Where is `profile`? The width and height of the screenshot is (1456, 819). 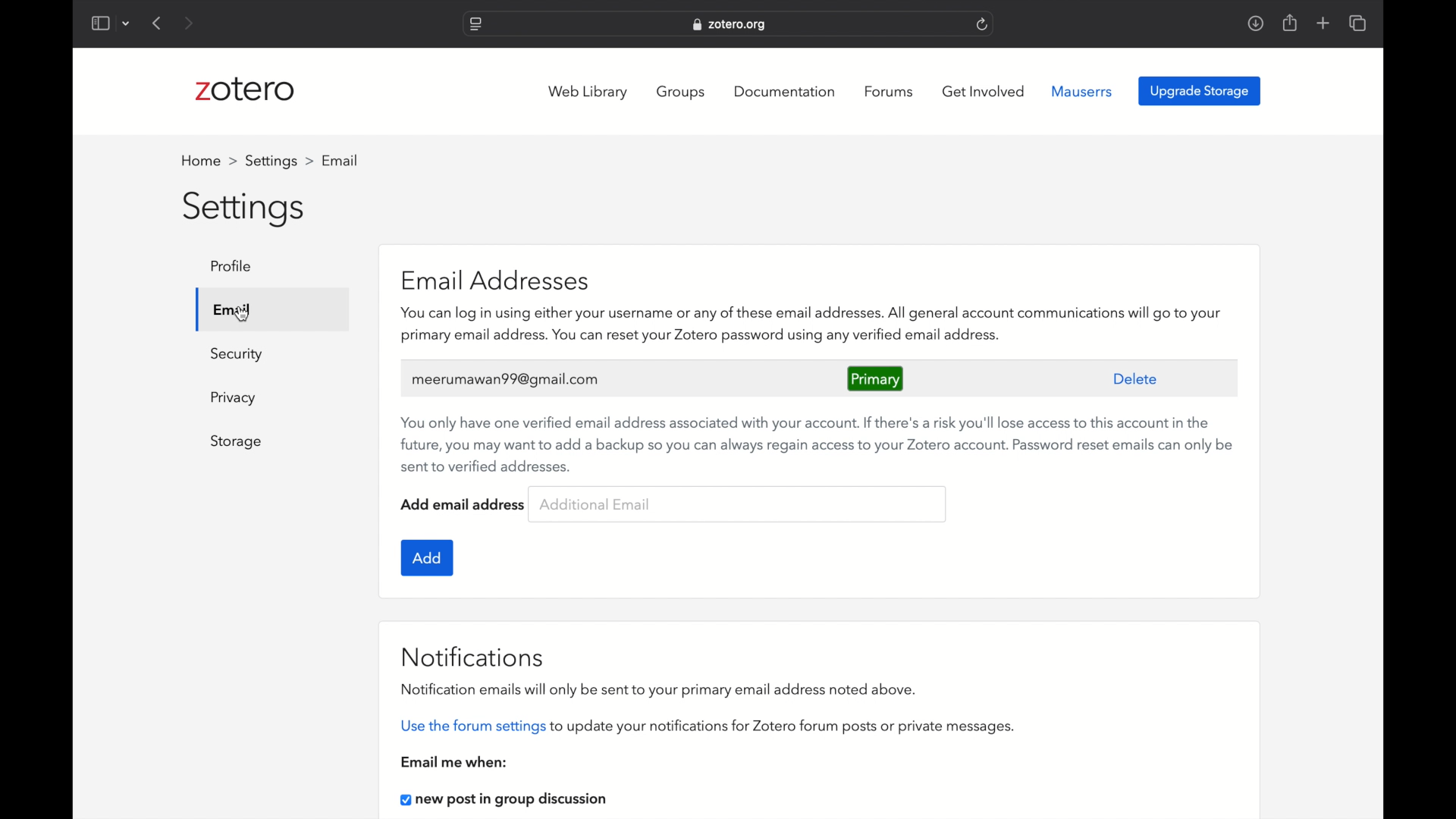
profile is located at coordinates (342, 161).